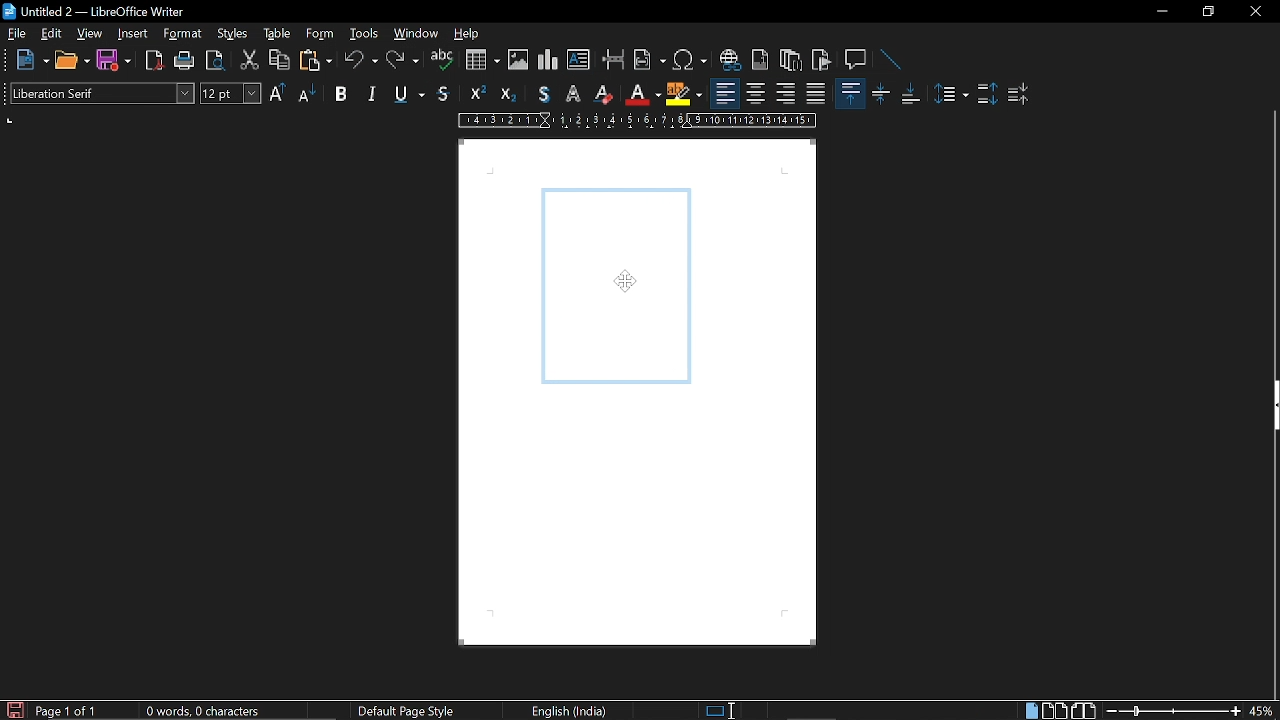  What do you see at coordinates (1272, 408) in the screenshot?
I see `sidebar view` at bounding box center [1272, 408].